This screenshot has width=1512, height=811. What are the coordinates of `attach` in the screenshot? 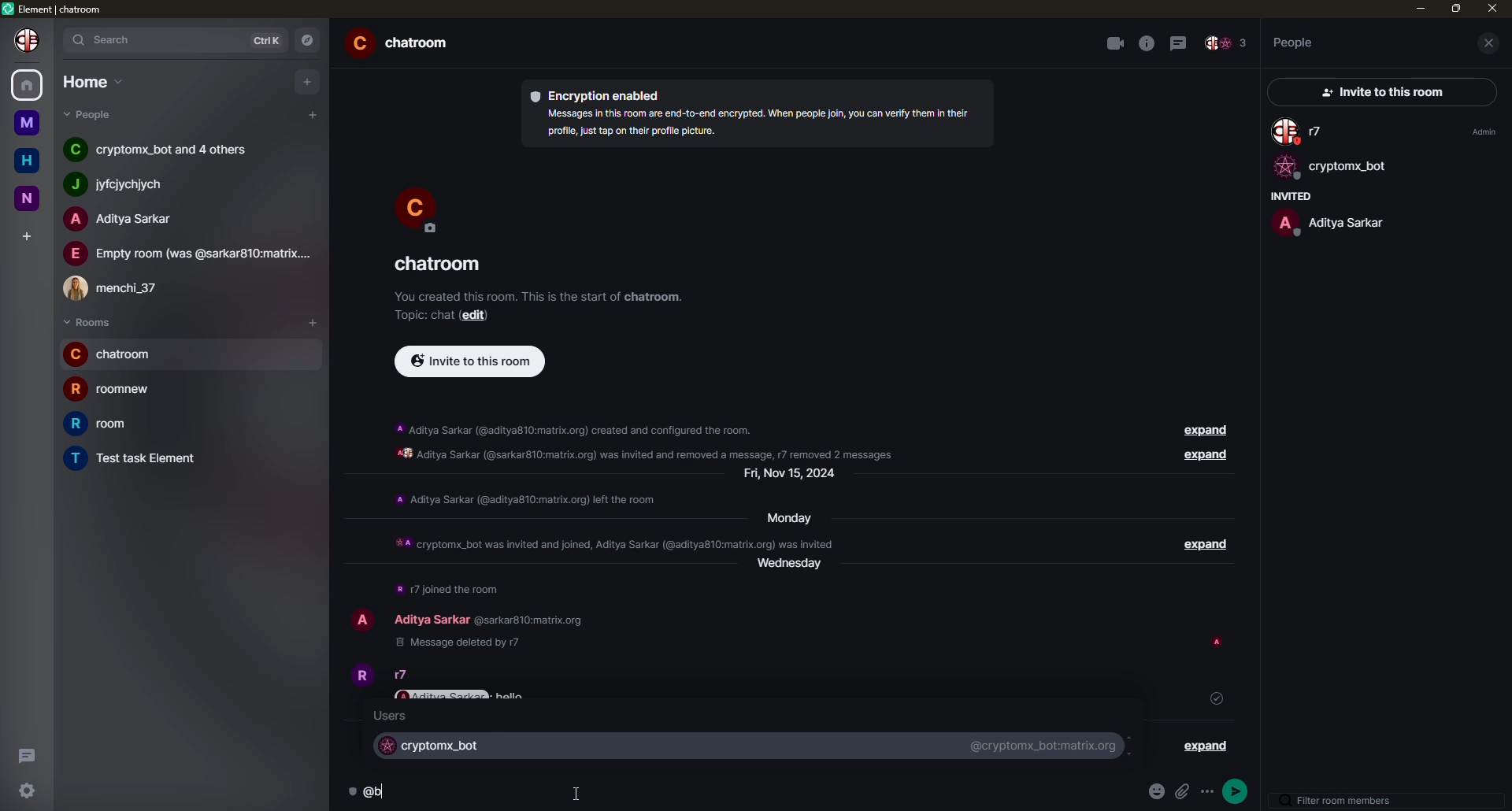 It's located at (1186, 793).